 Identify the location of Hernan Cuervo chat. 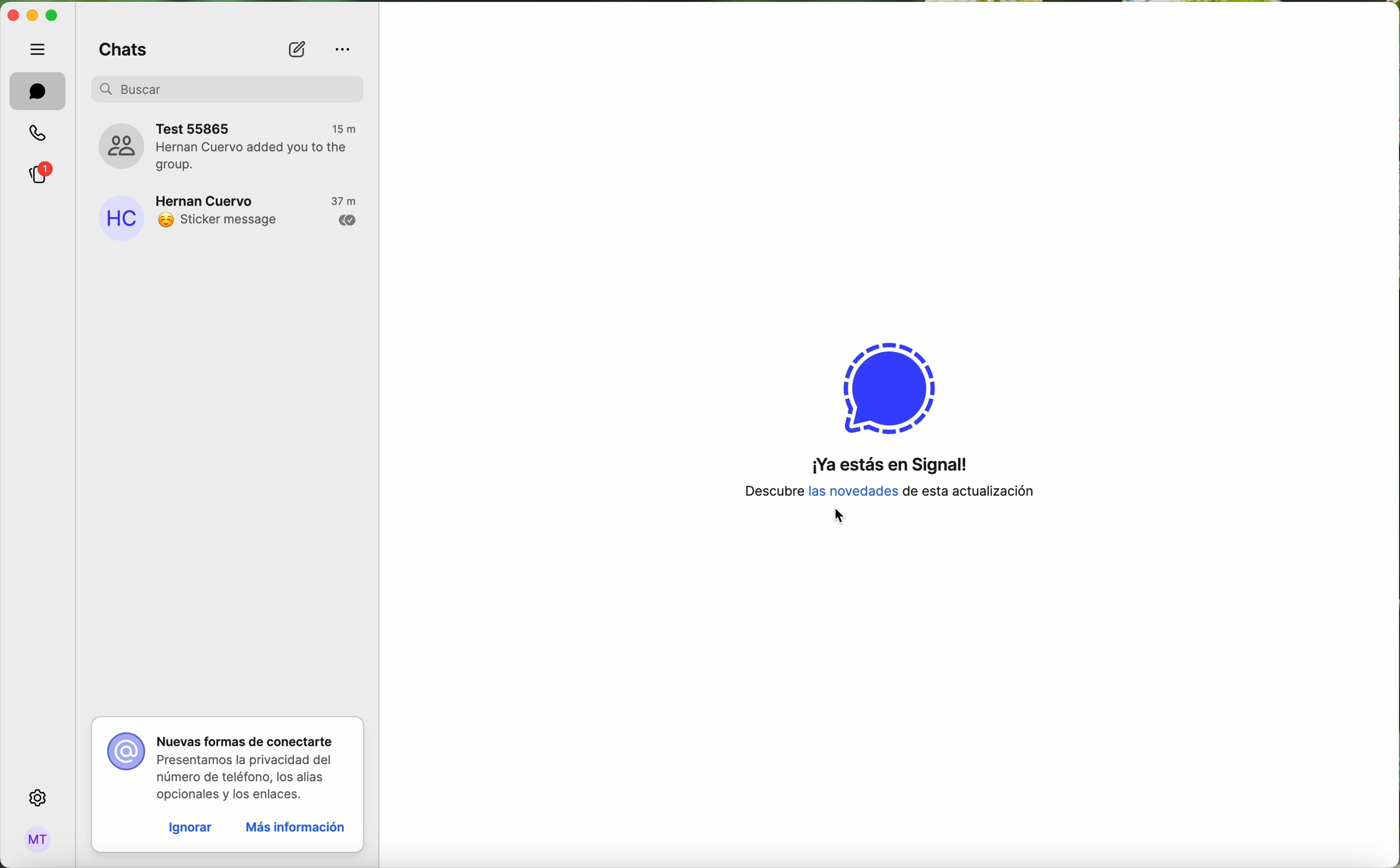
(235, 215).